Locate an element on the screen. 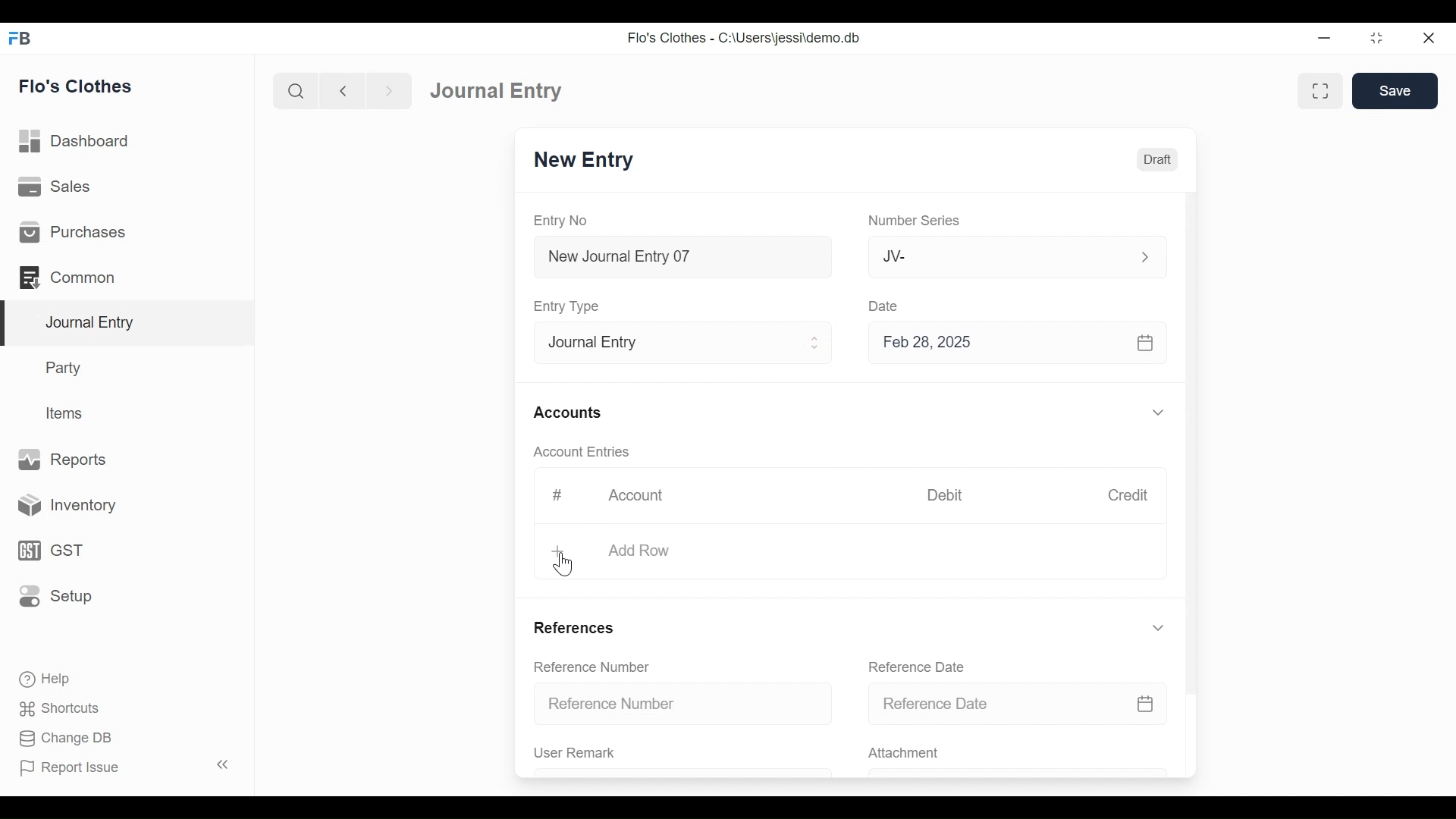  Expand is located at coordinates (1158, 412).